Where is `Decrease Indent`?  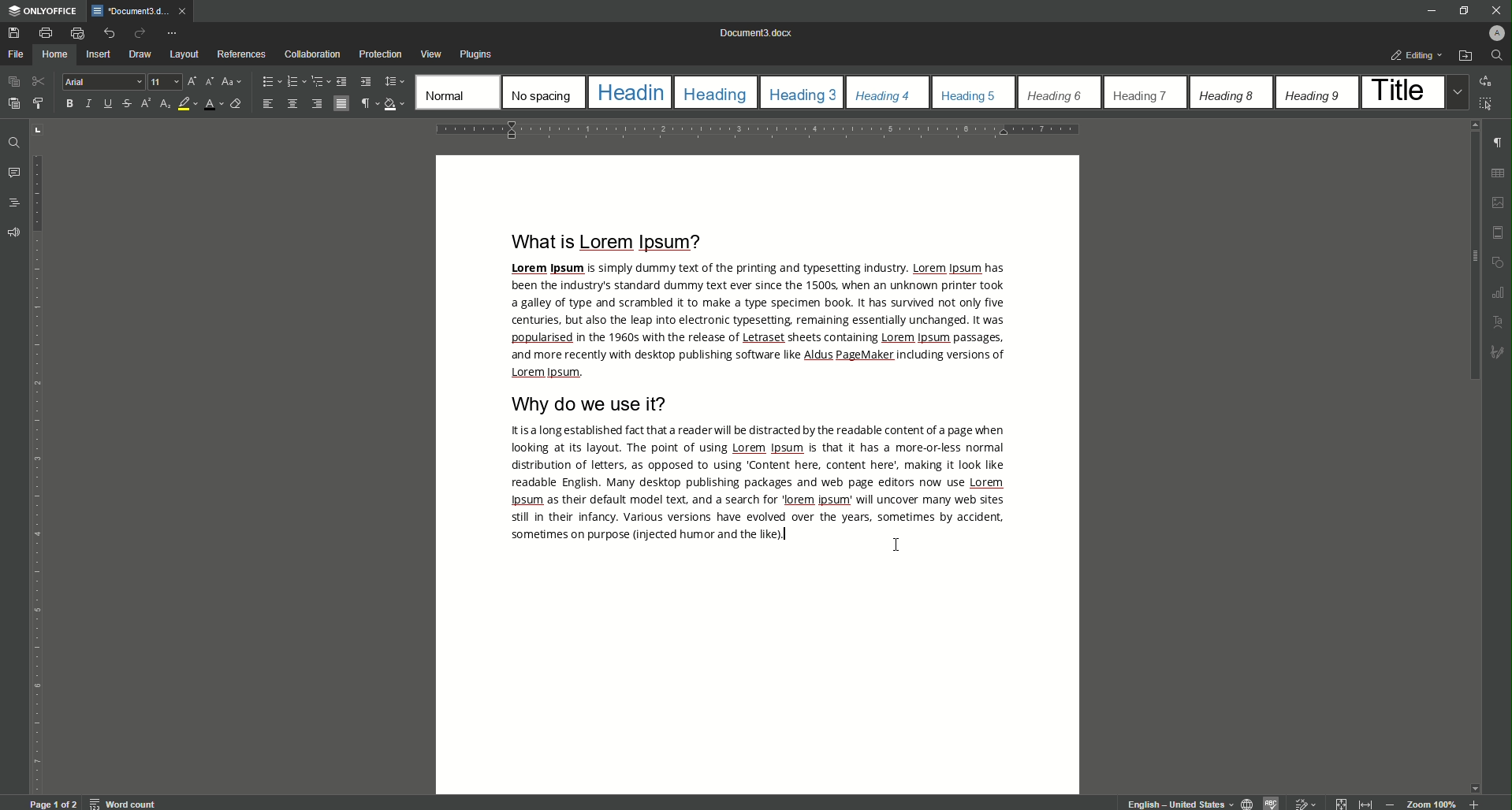
Decrease Indent is located at coordinates (343, 81).